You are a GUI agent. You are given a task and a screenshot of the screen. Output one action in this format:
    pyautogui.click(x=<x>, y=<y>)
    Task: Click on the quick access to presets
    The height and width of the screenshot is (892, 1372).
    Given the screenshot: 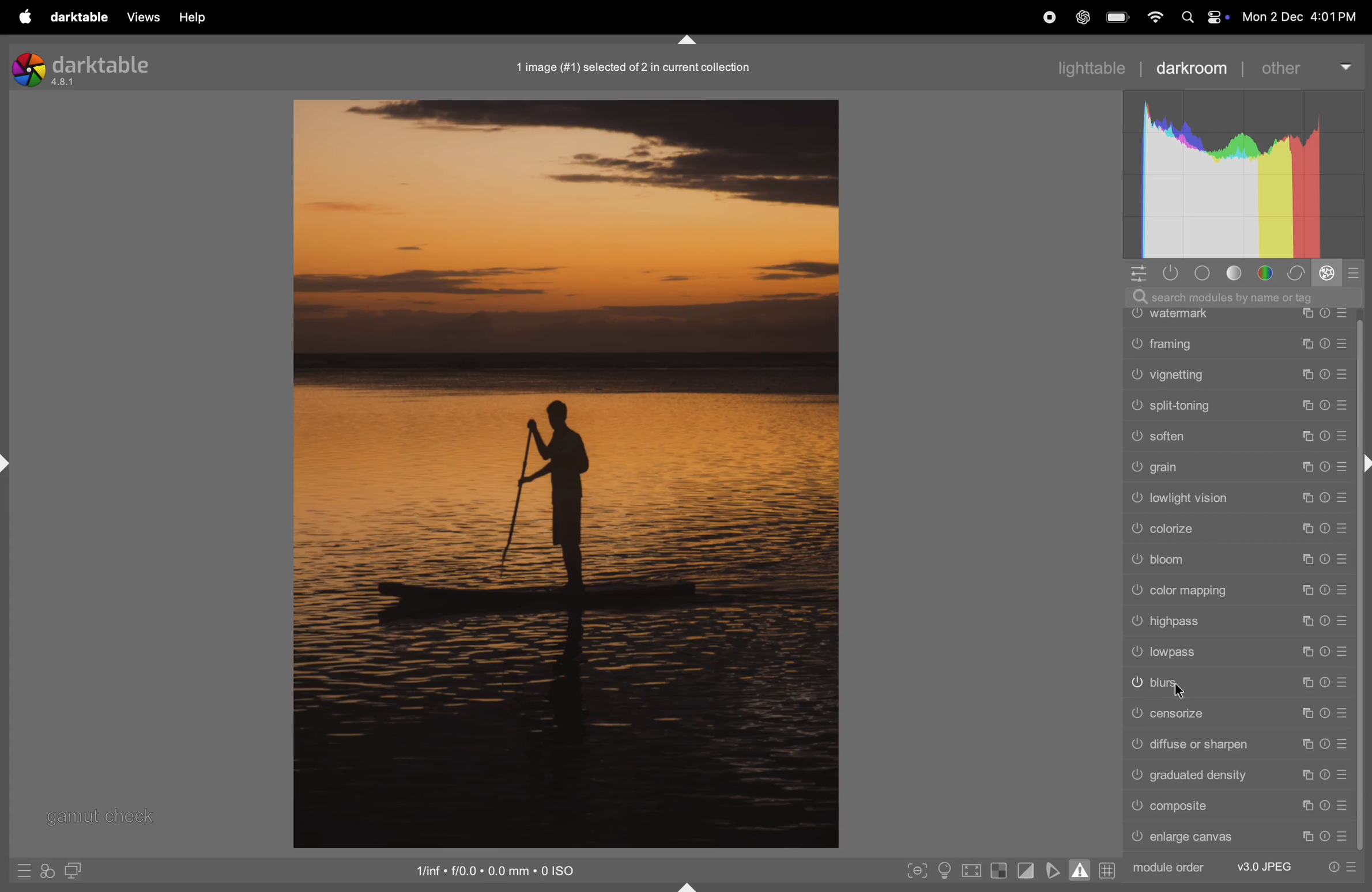 What is the action you would take?
    pyautogui.click(x=25, y=872)
    